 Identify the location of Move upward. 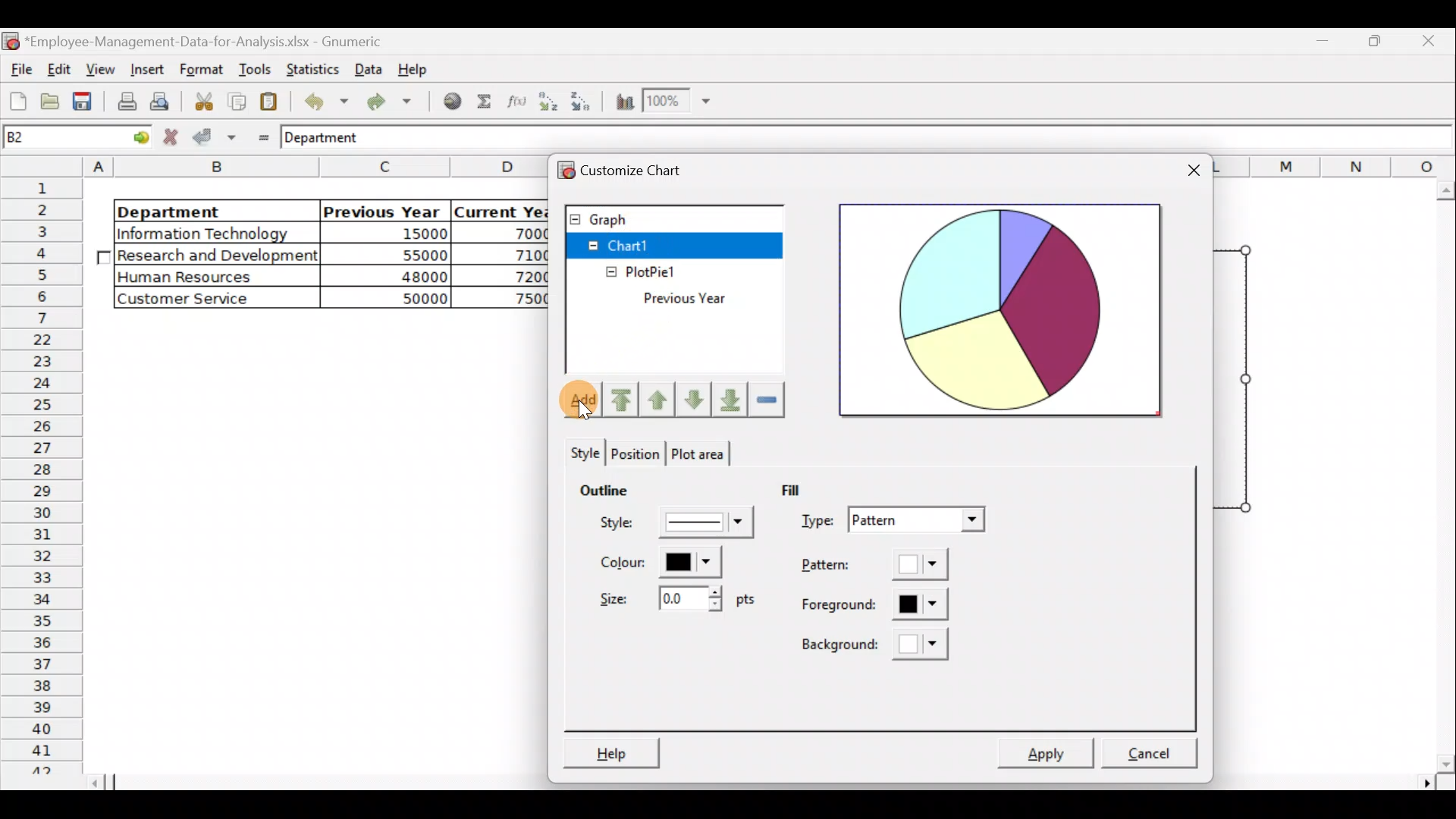
(623, 400).